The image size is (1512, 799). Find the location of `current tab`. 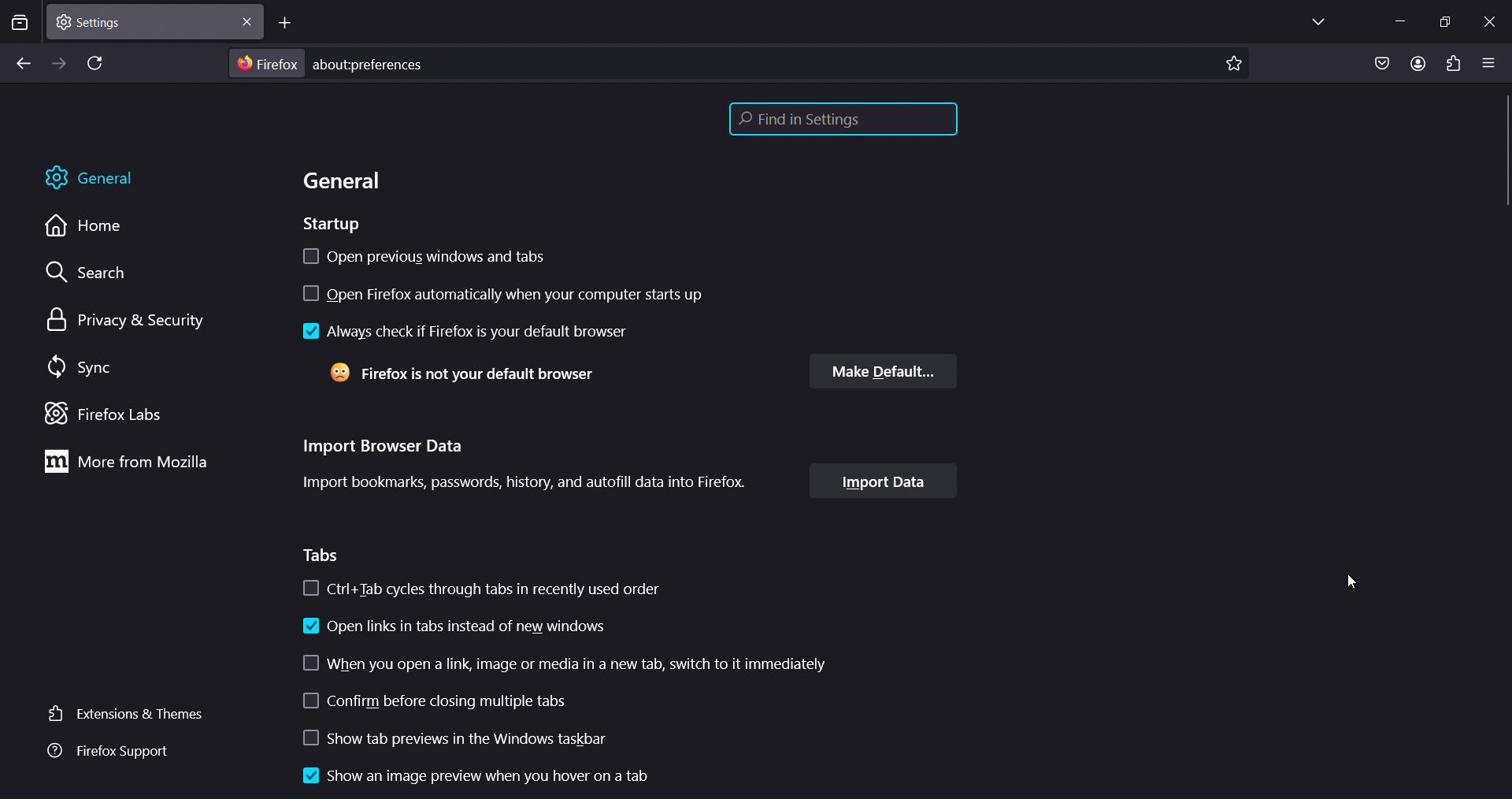

current tab is located at coordinates (152, 22).